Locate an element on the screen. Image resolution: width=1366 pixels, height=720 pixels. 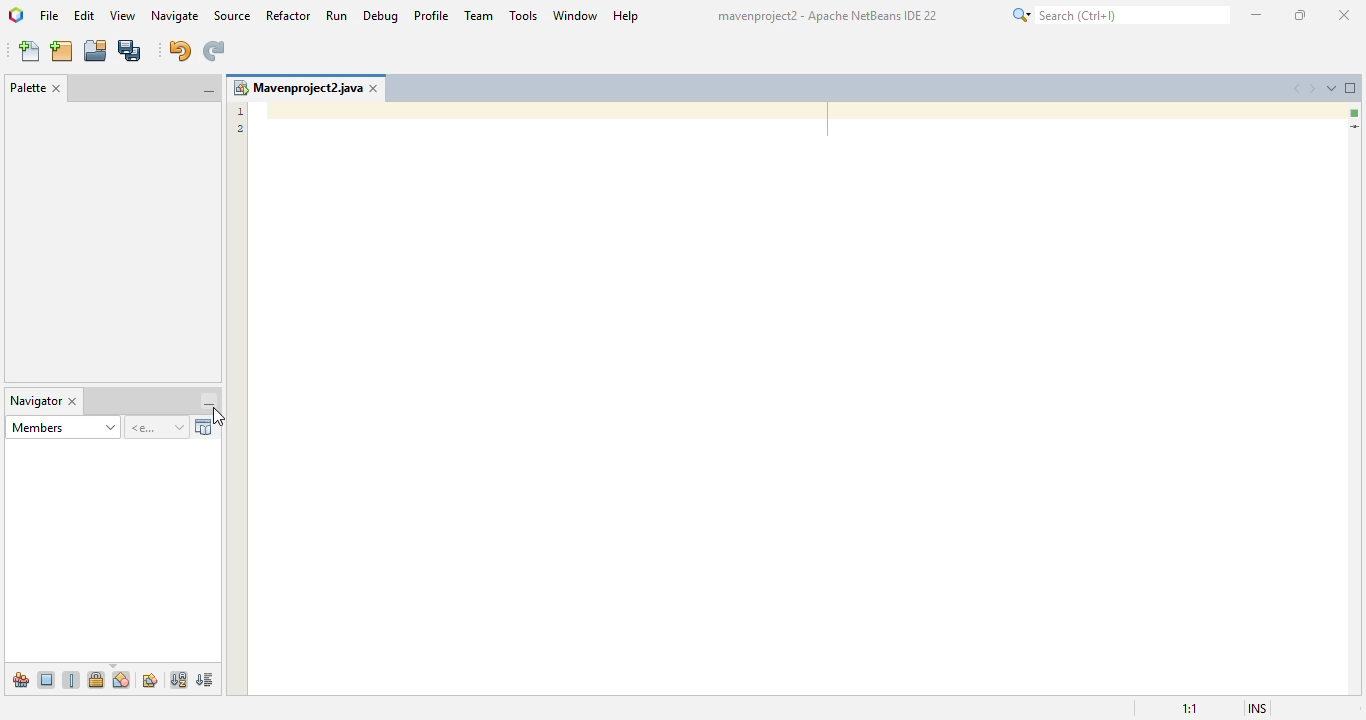
line numbers is located at coordinates (238, 119).